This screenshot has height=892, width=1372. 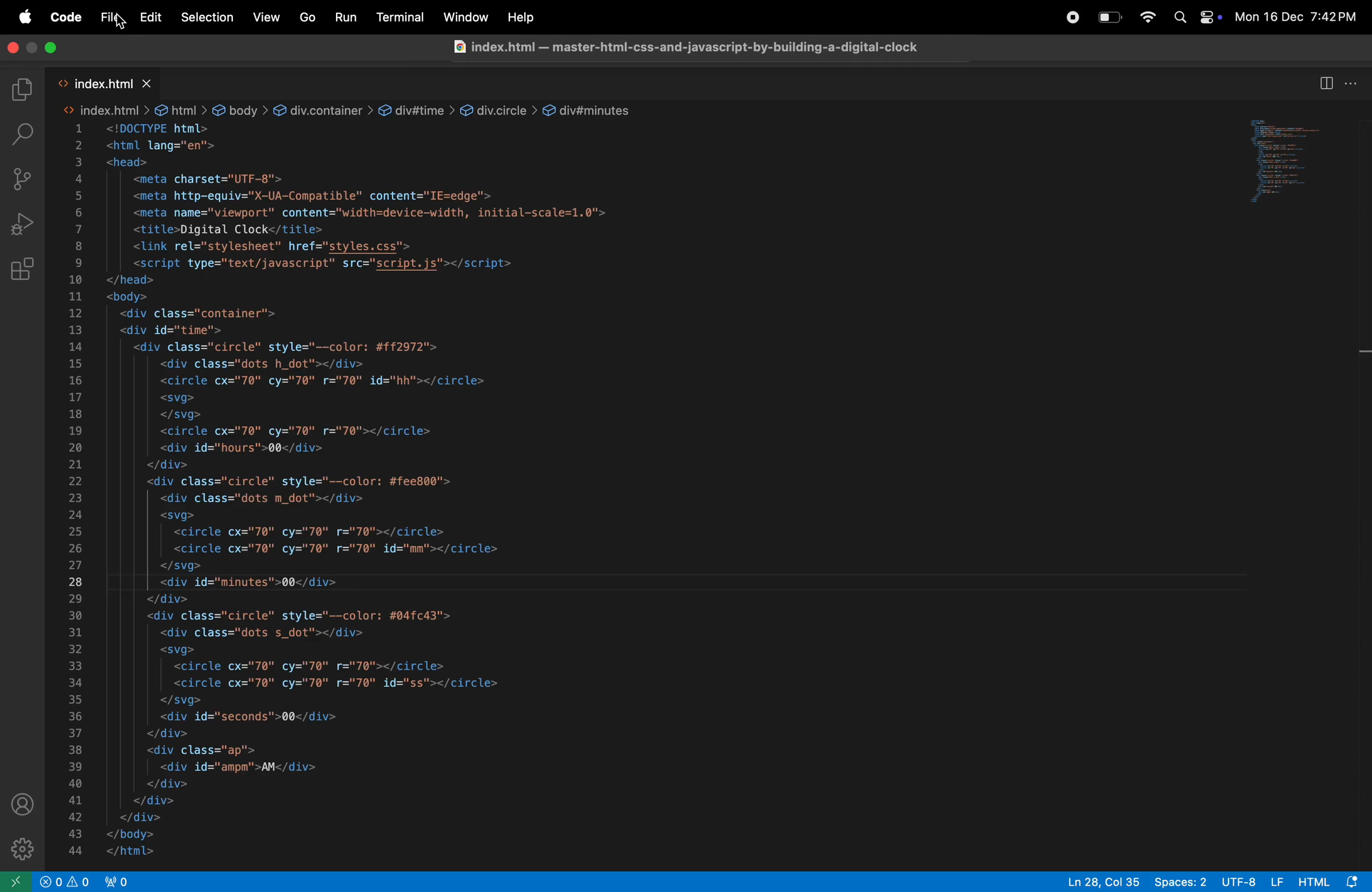 I want to click on Edit, so click(x=152, y=18).